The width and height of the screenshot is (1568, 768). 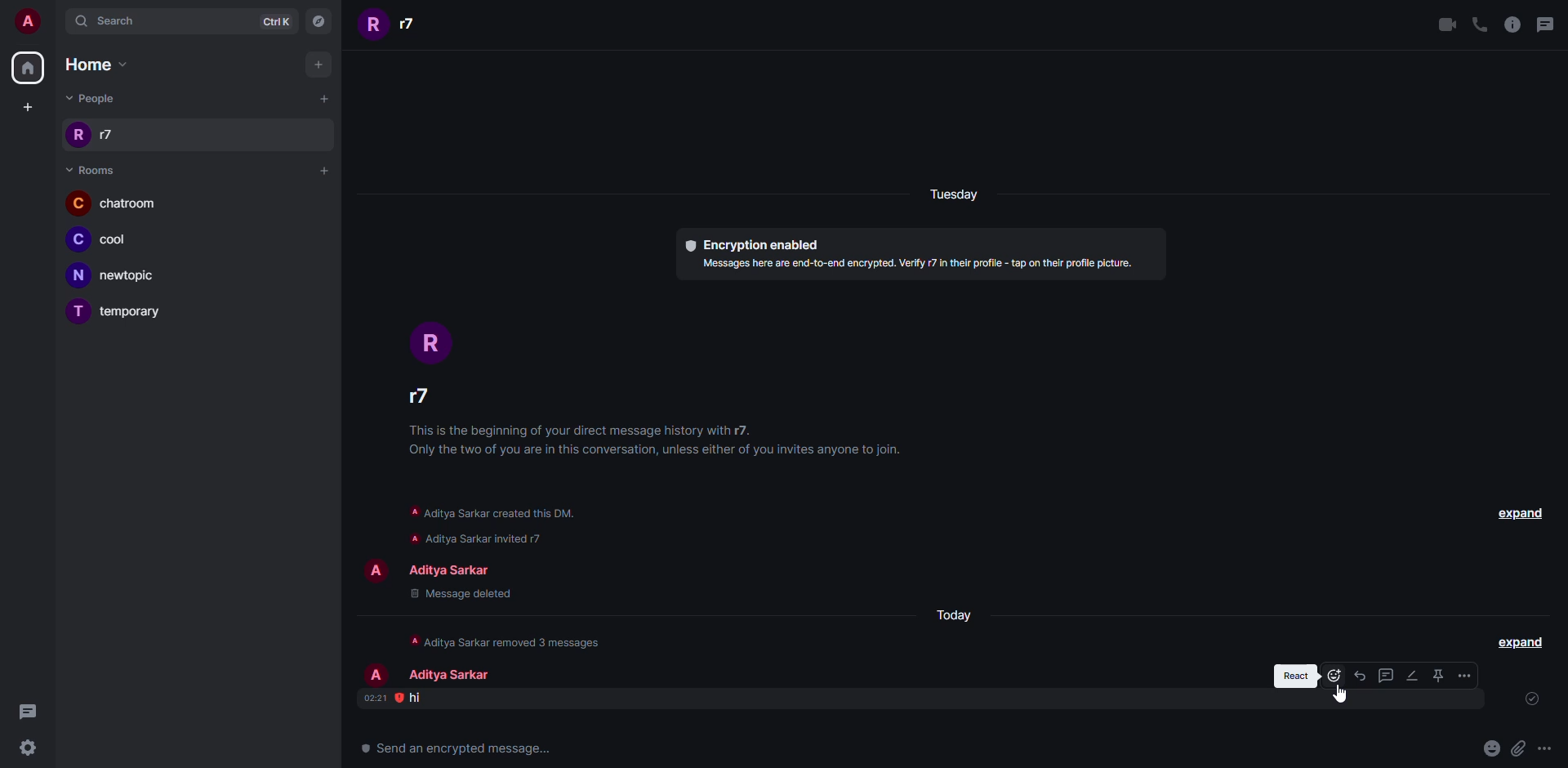 What do you see at coordinates (452, 676) in the screenshot?
I see `people` at bounding box center [452, 676].